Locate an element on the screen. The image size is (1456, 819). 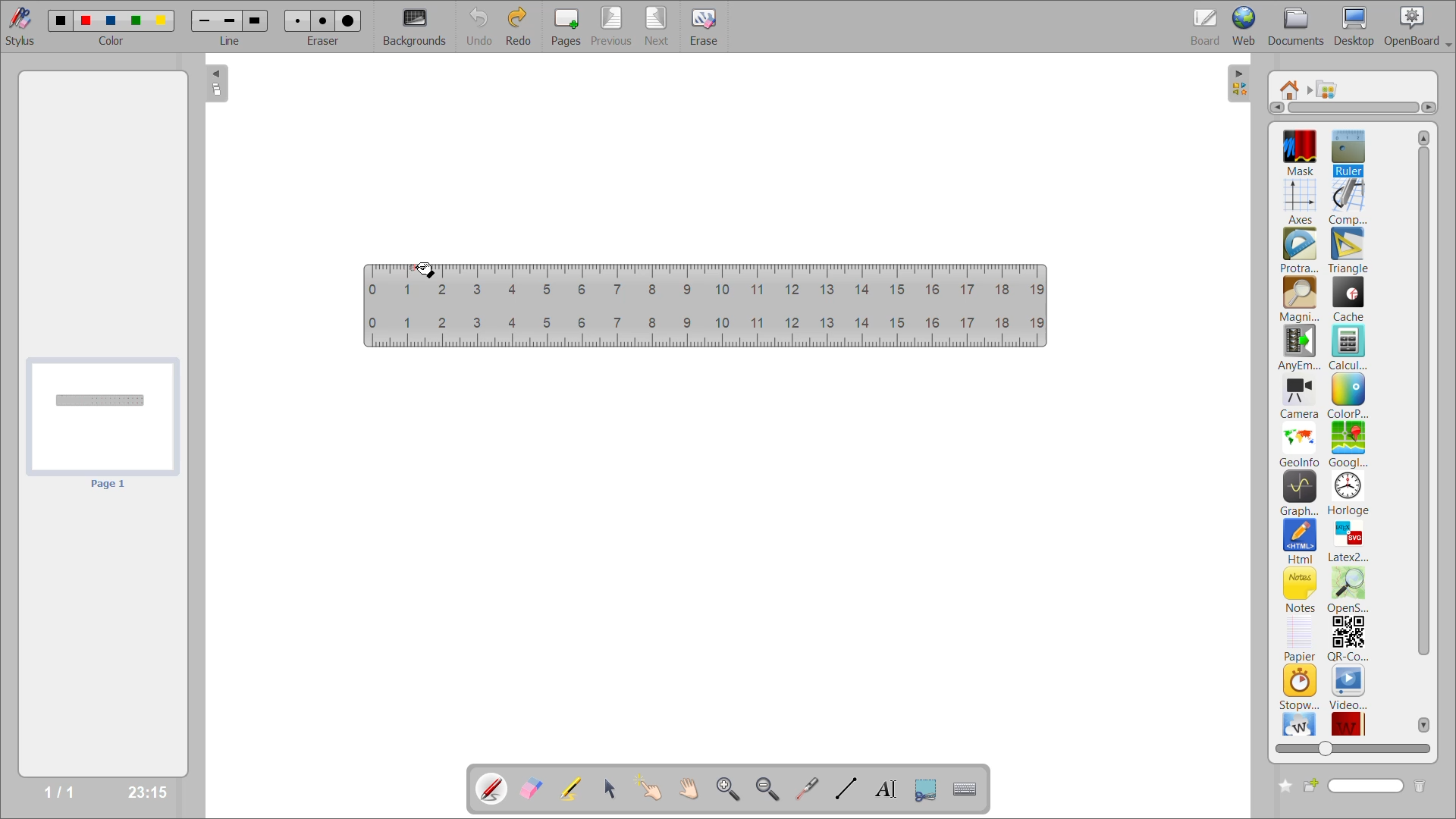
erase is located at coordinates (710, 27).